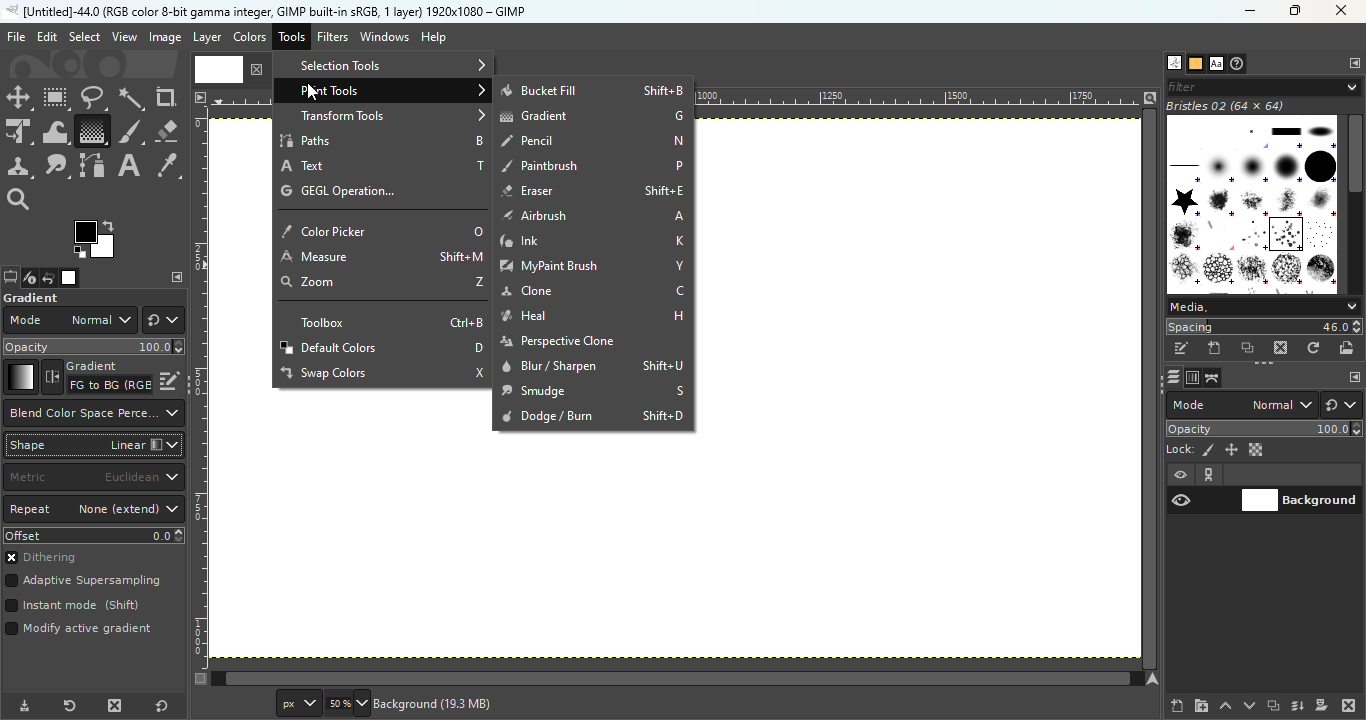 The width and height of the screenshot is (1366, 720). Describe the element at coordinates (19, 98) in the screenshot. I see `Move tool` at that location.